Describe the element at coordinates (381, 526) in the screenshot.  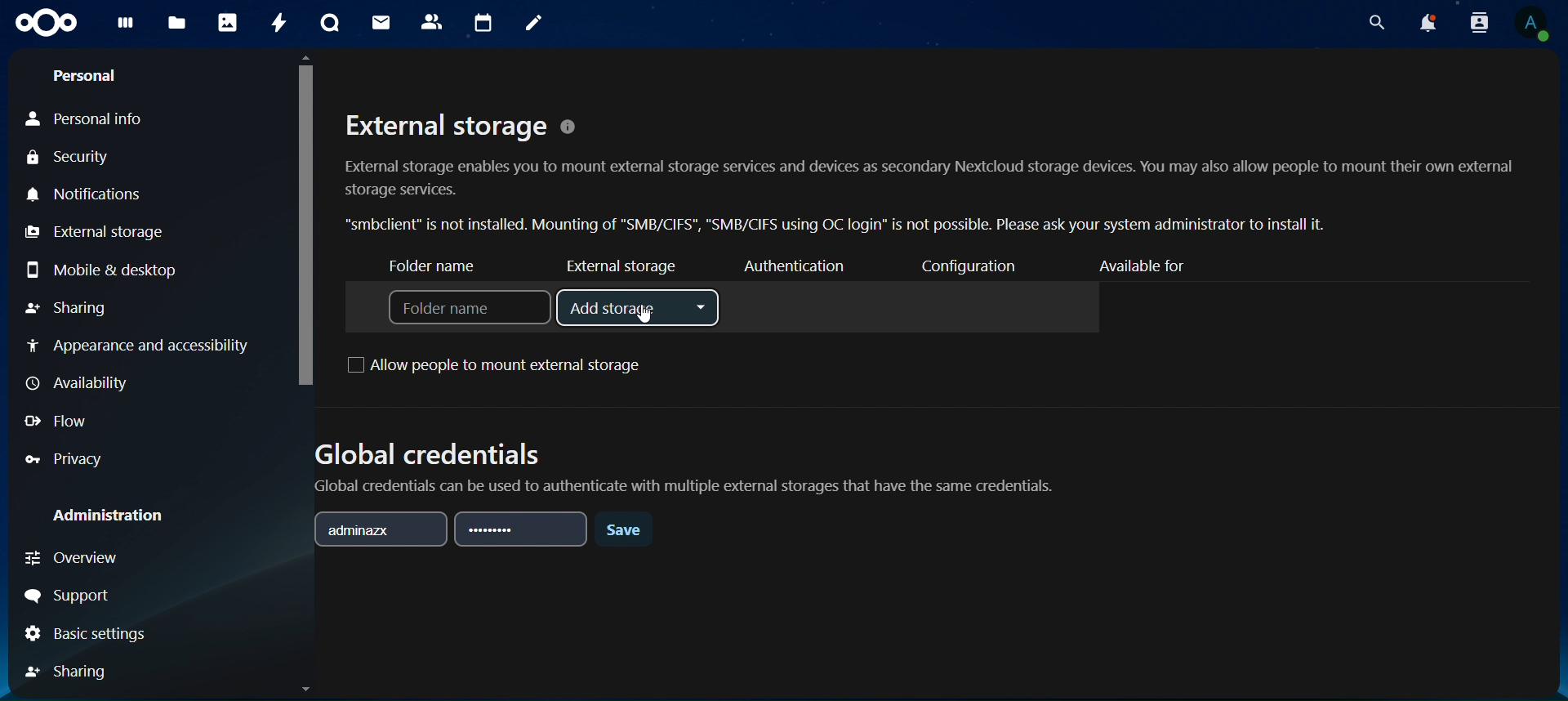
I see `adminazx` at that location.